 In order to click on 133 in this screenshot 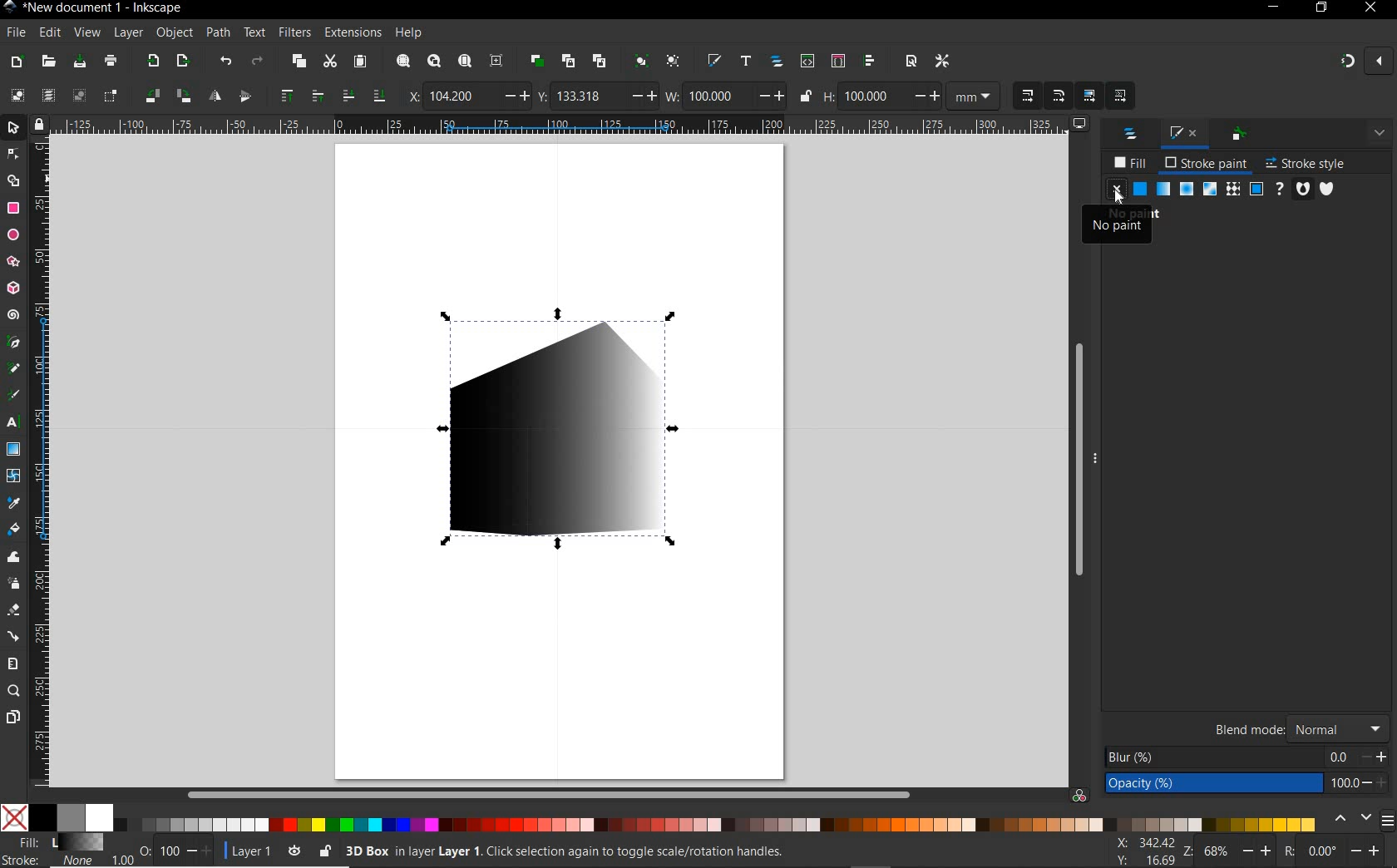, I will do `click(587, 96)`.